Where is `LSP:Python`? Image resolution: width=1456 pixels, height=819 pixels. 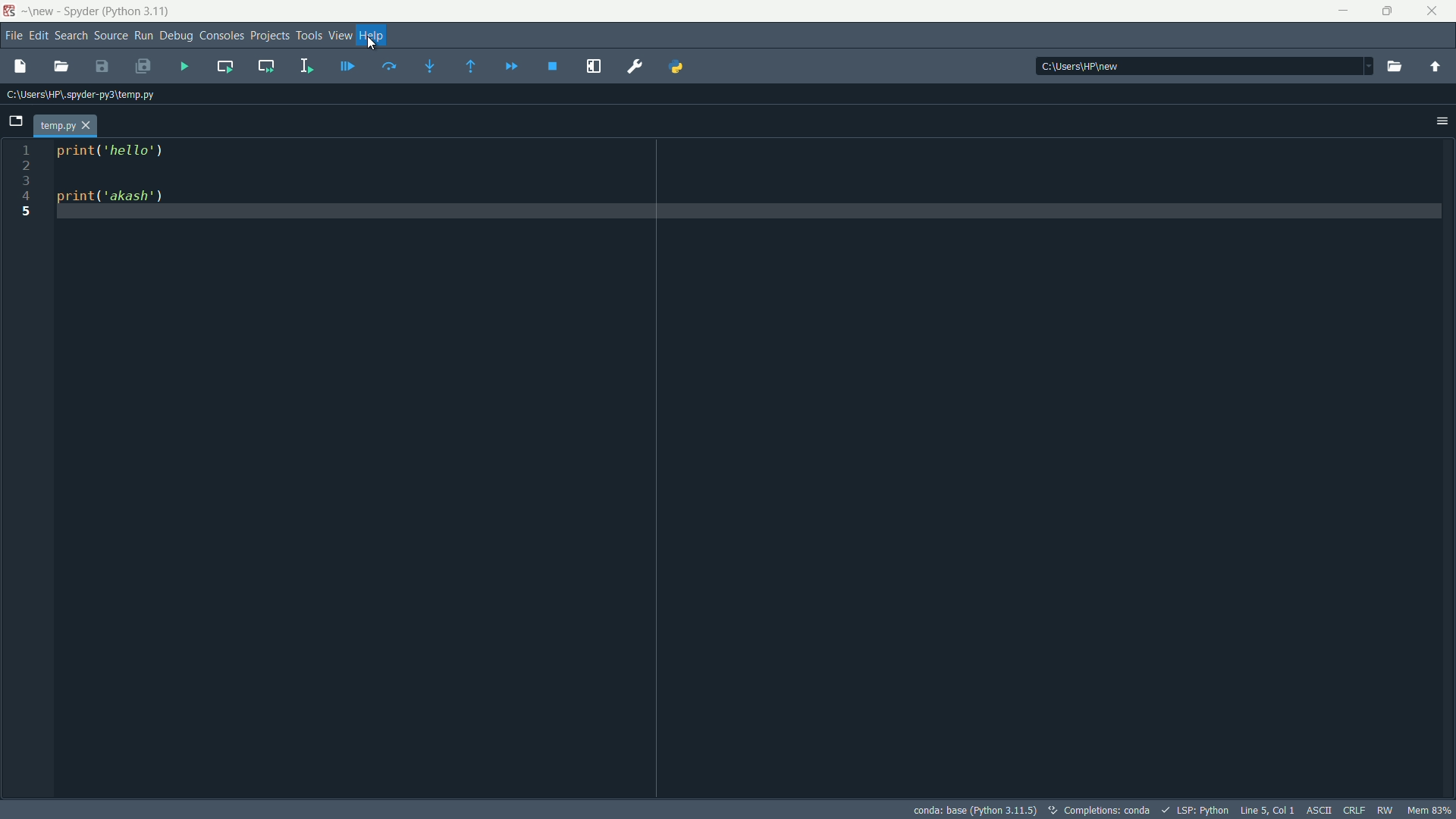
LSP:Python is located at coordinates (1200, 810).